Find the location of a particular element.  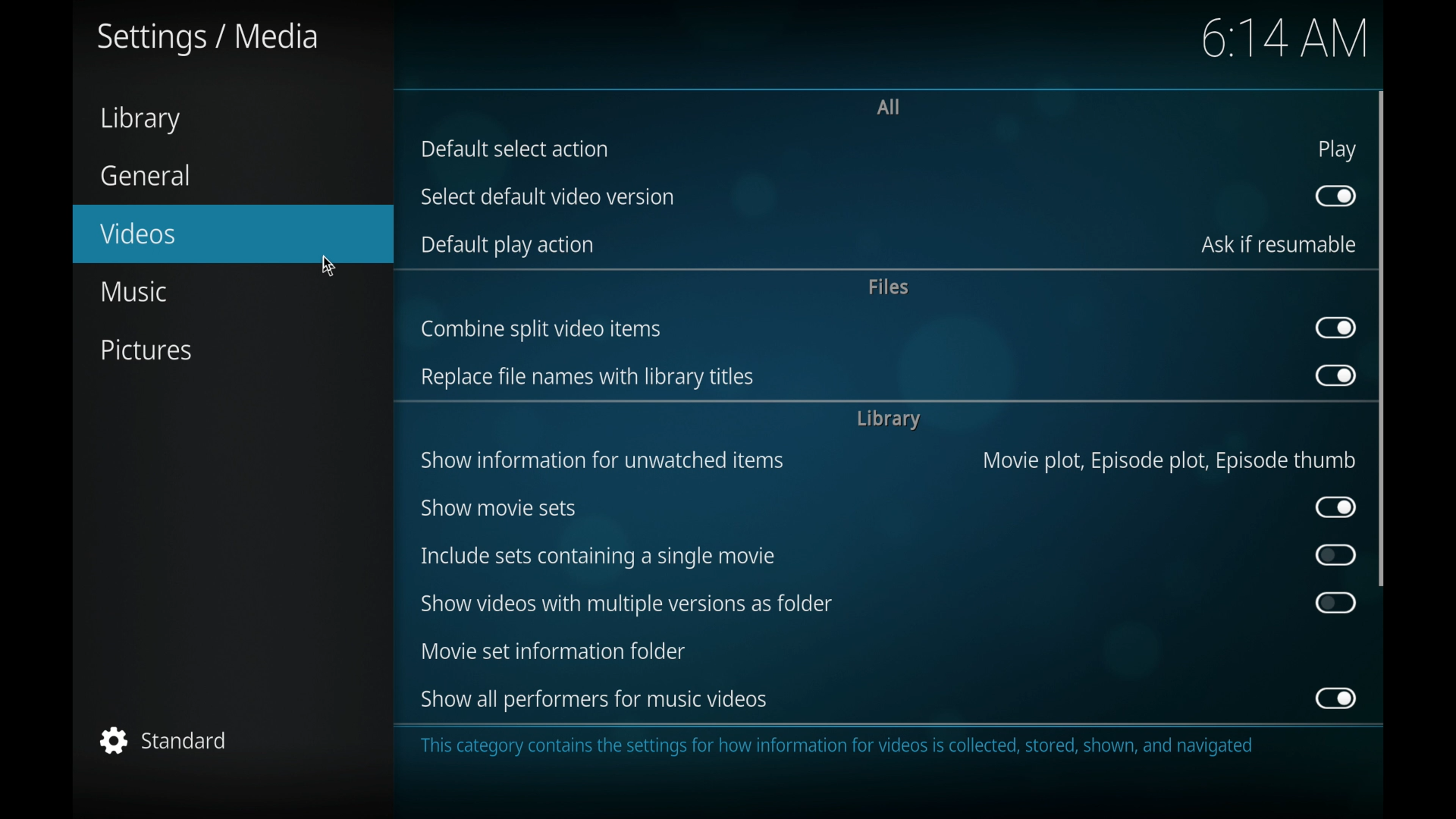

toggle button is located at coordinates (1335, 555).